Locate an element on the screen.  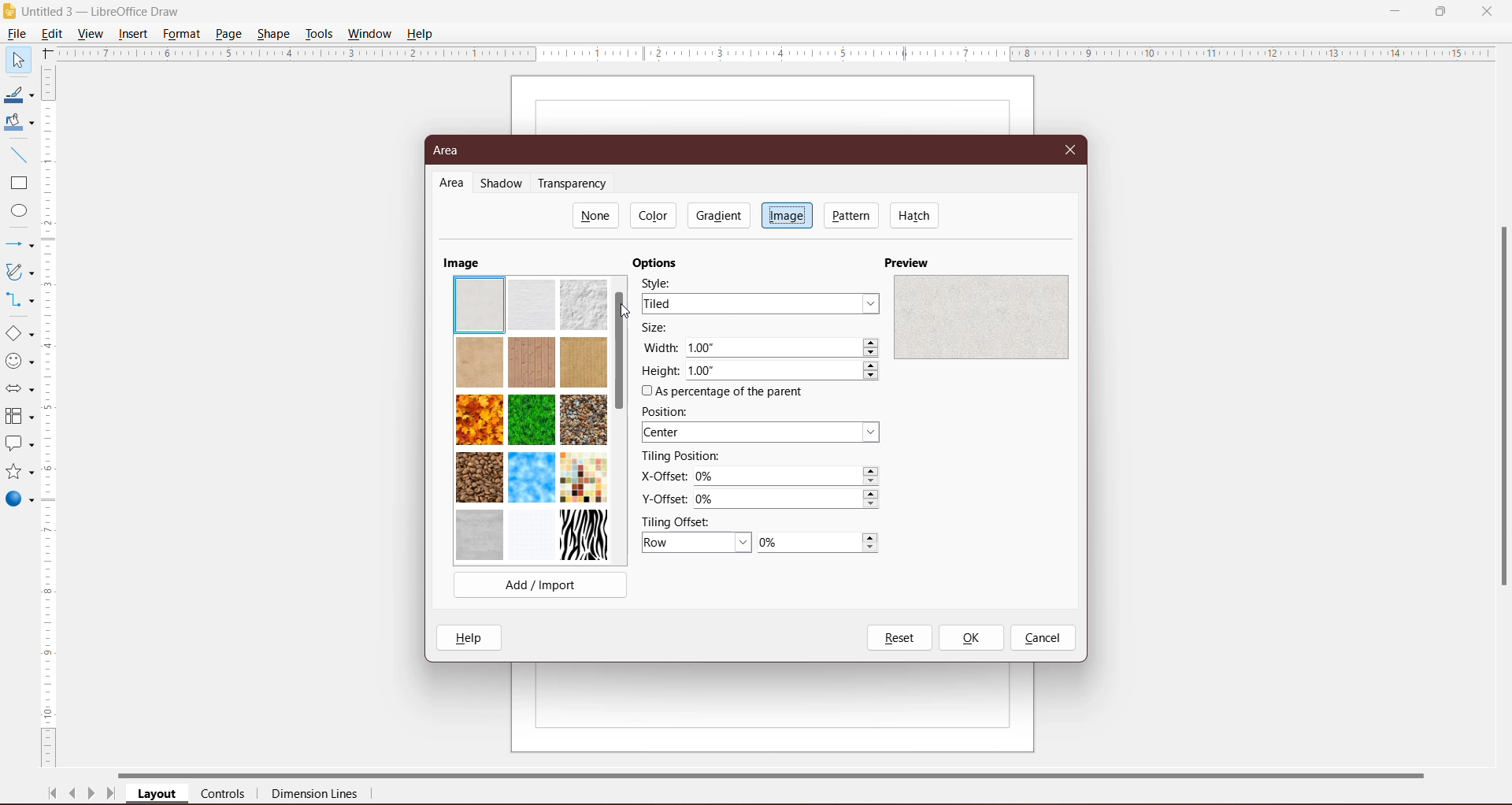
Insert Line is located at coordinates (17, 154).